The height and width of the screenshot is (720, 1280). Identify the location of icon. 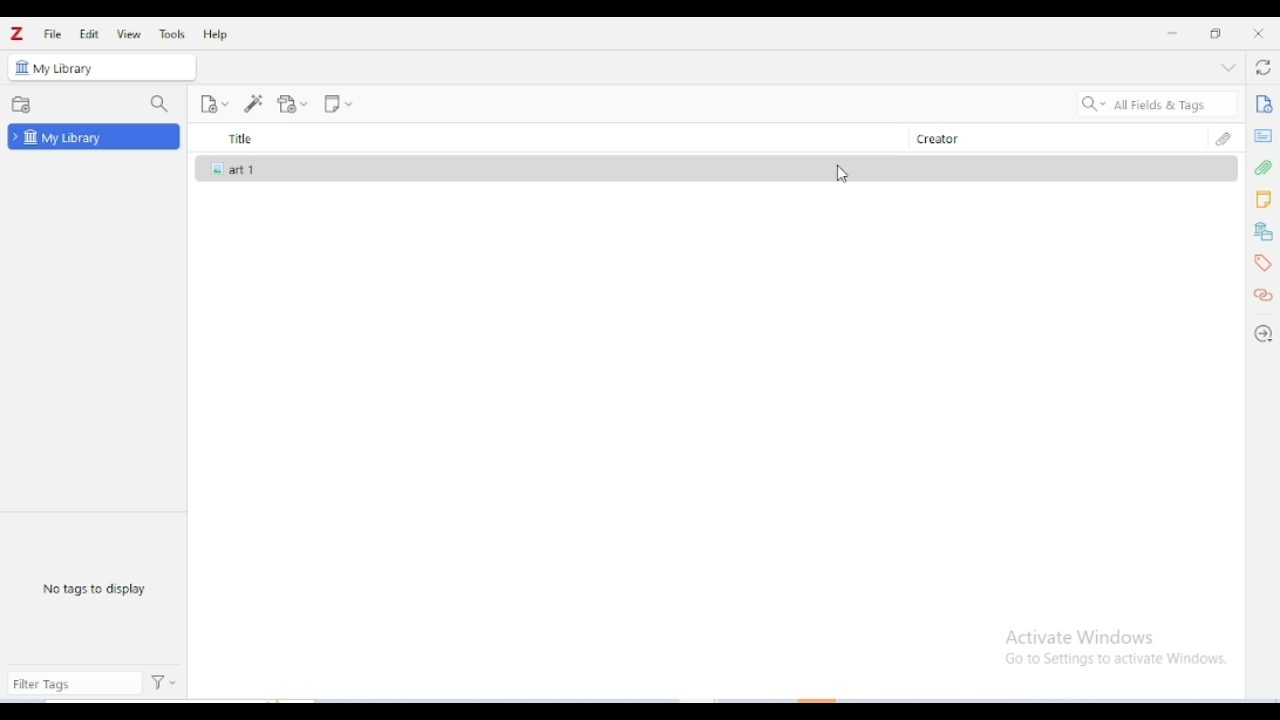
(20, 67).